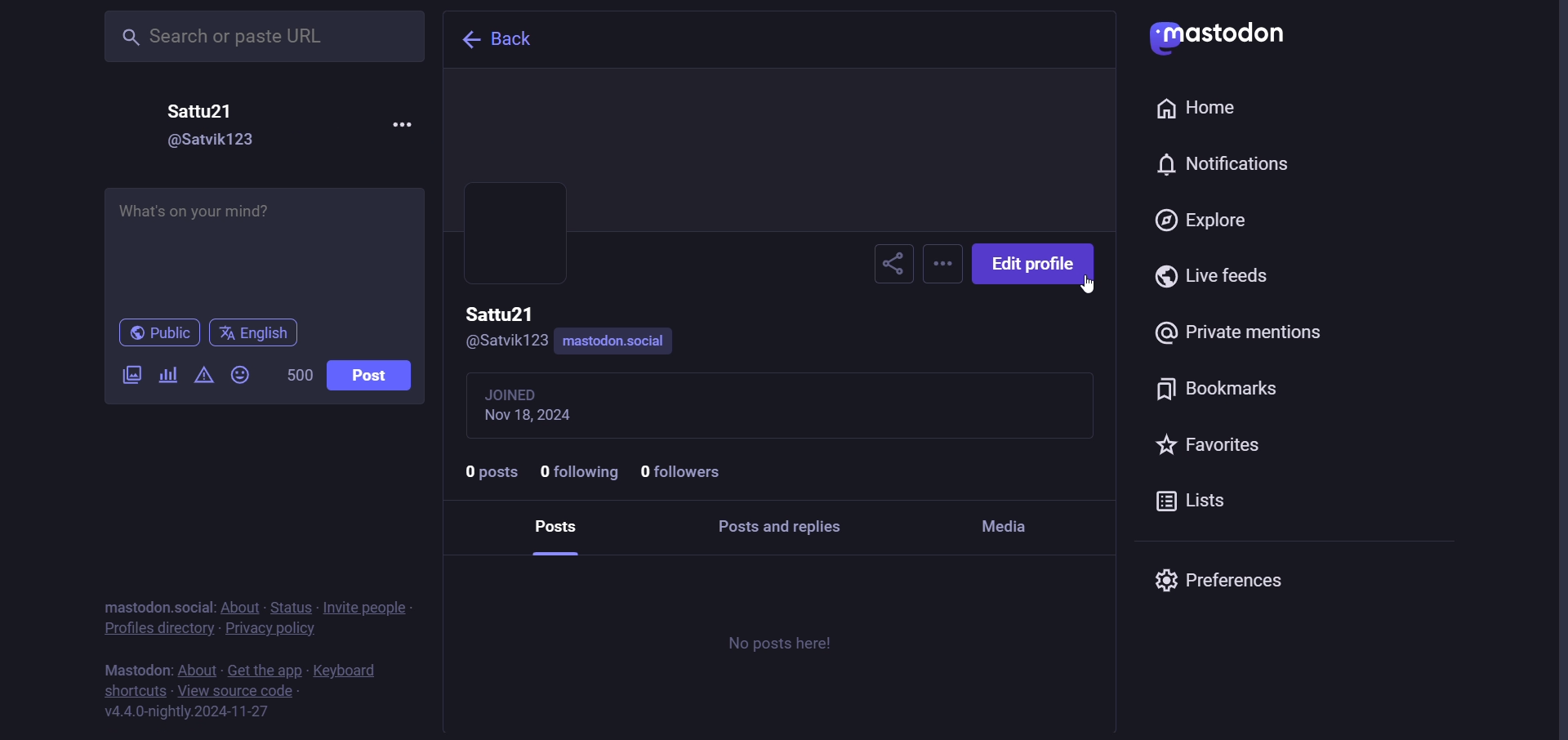  What do you see at coordinates (160, 334) in the screenshot?
I see `public` at bounding box center [160, 334].